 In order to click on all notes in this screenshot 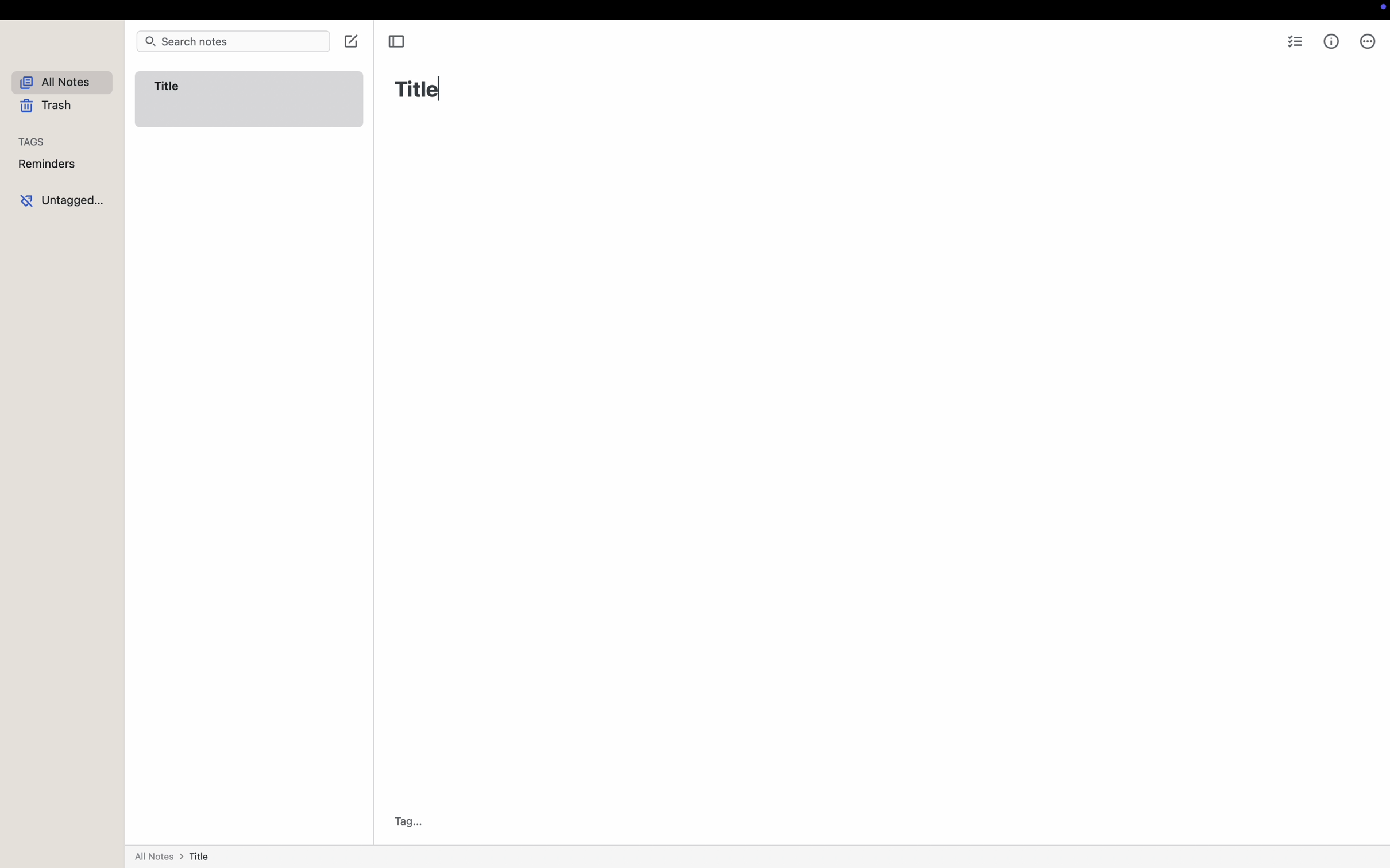, I will do `click(61, 80)`.